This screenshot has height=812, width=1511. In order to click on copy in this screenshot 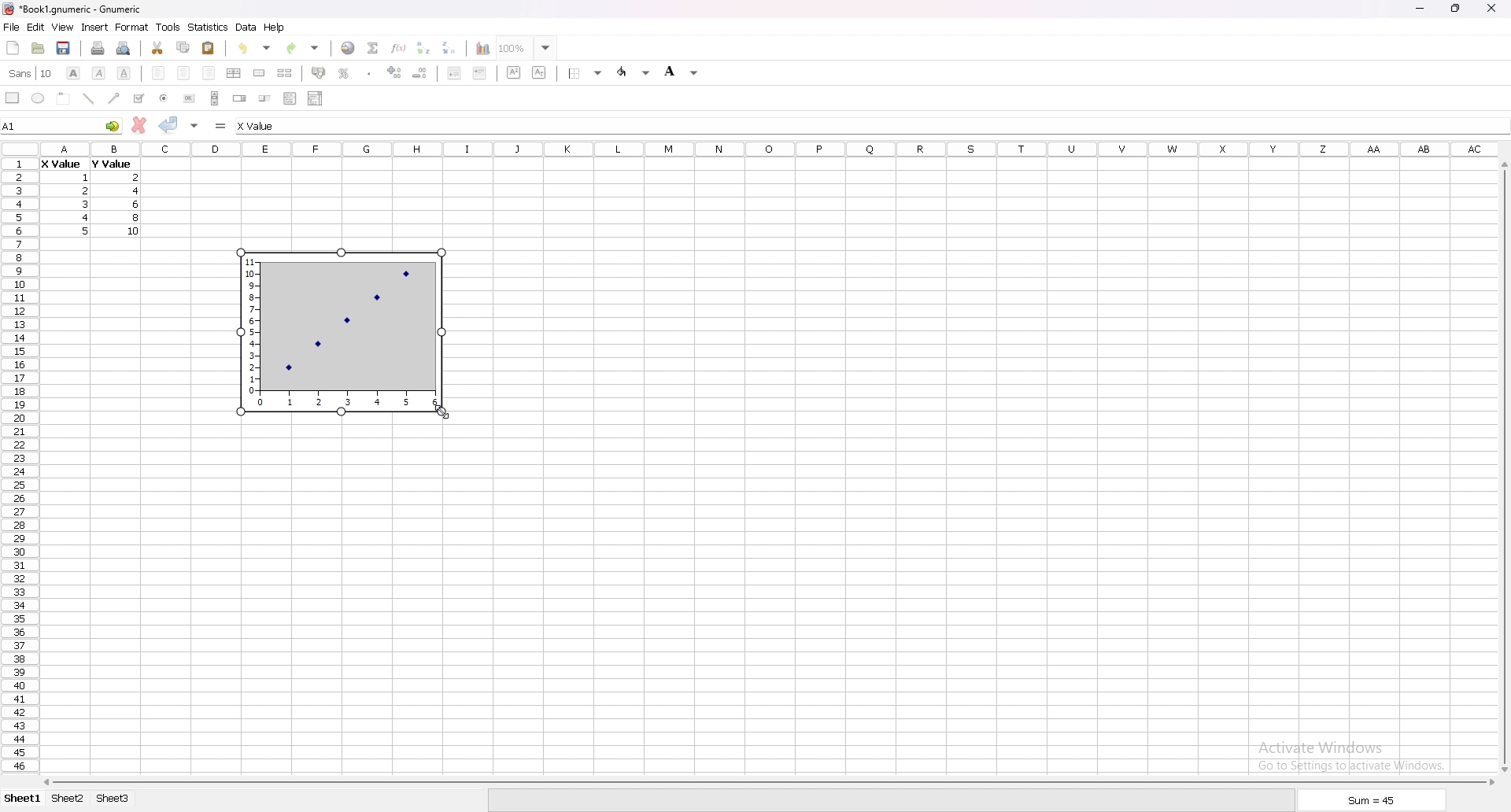, I will do `click(183, 47)`.